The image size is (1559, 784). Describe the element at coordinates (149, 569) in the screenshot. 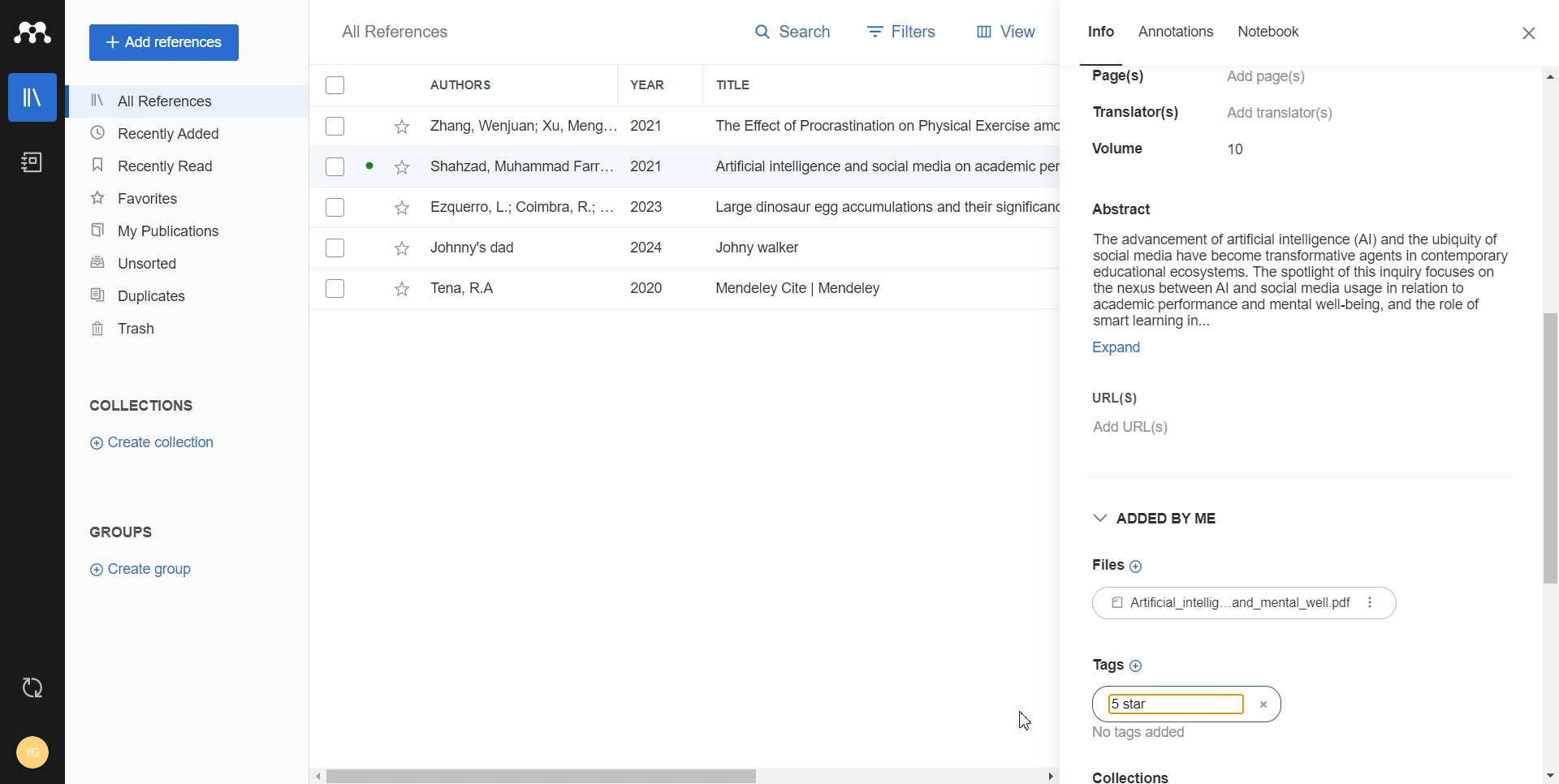

I see `Create Group` at that location.